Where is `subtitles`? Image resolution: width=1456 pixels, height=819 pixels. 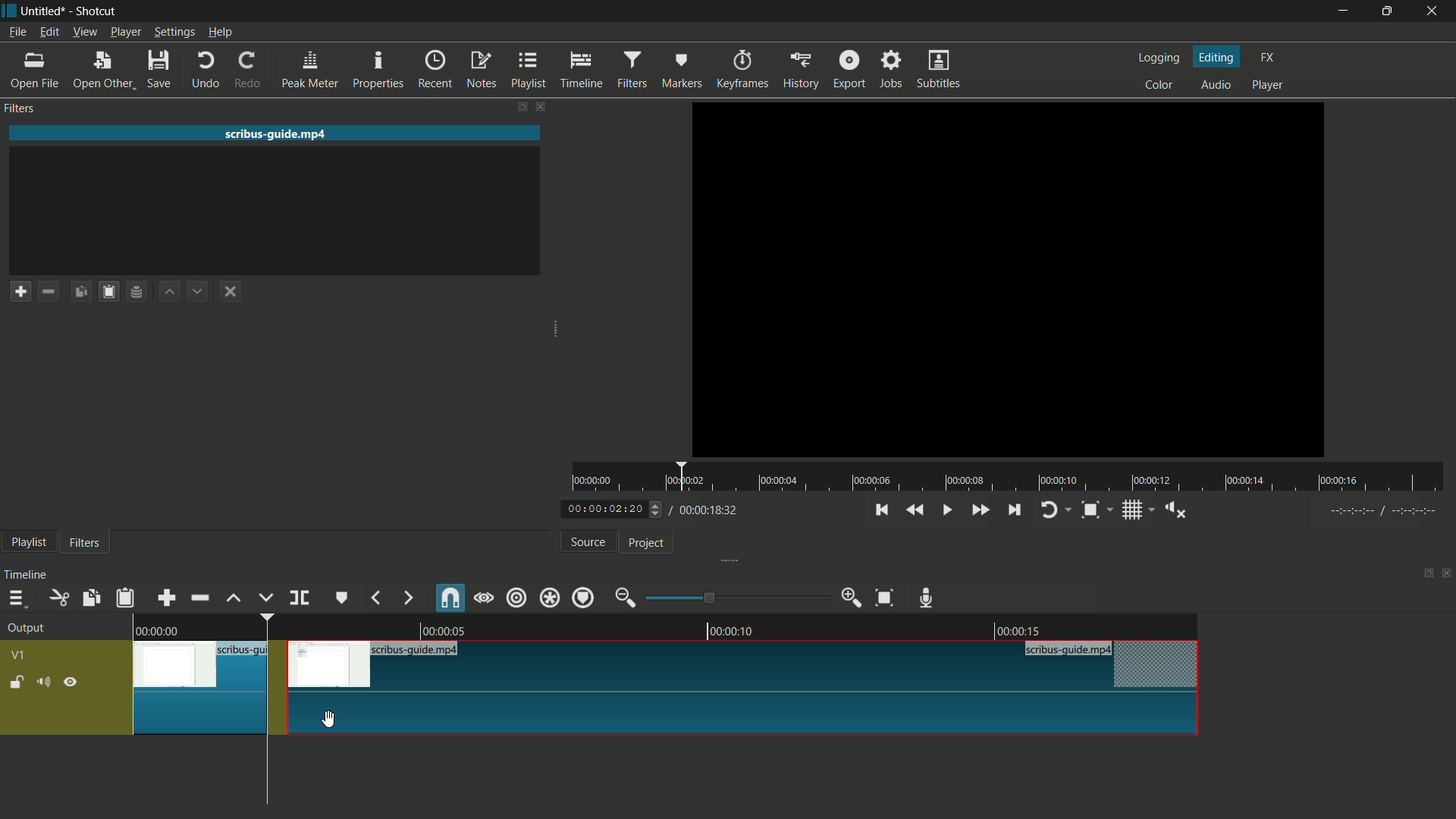
subtitles is located at coordinates (938, 68).